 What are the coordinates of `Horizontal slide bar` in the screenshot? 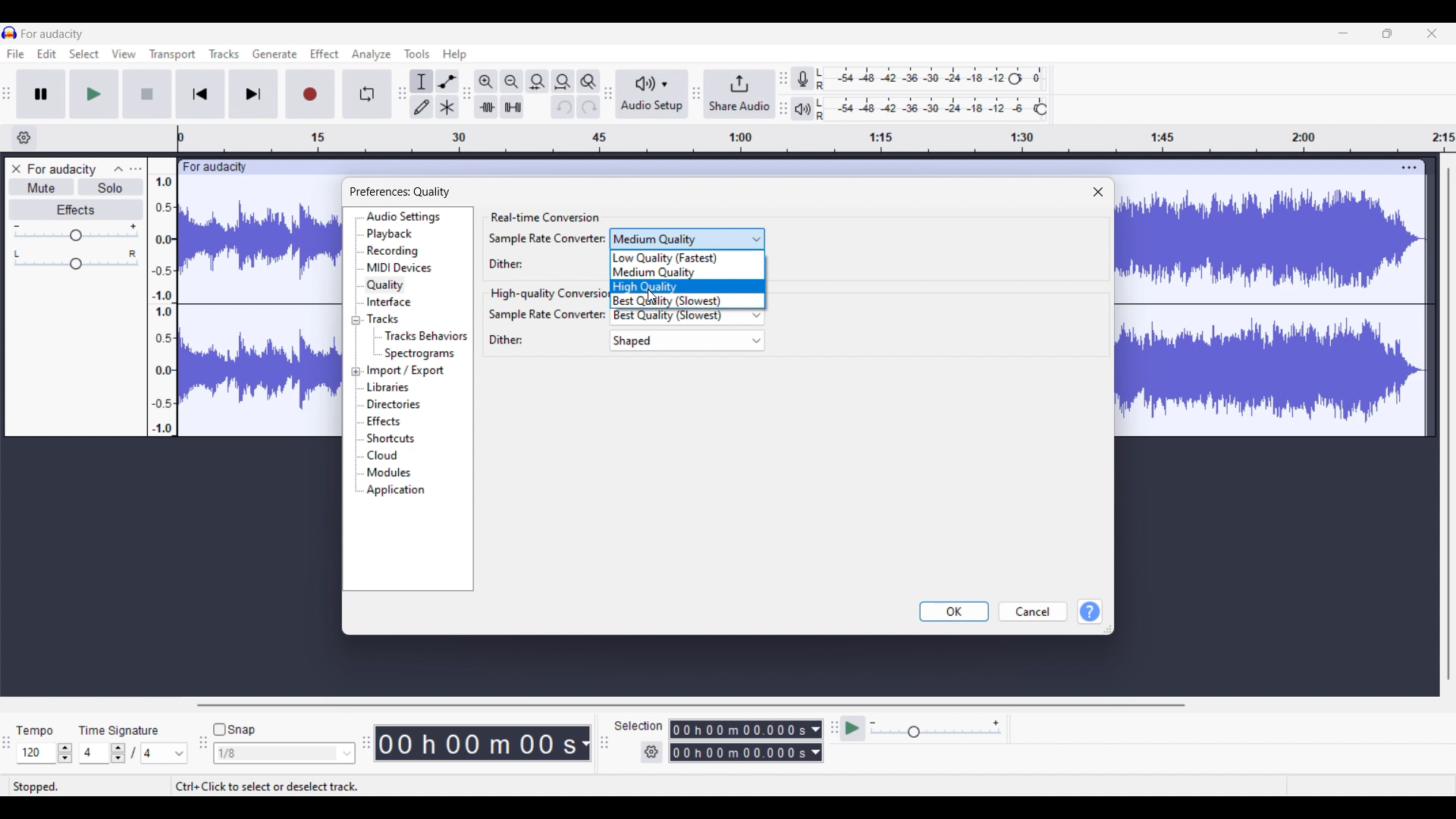 It's located at (691, 705).